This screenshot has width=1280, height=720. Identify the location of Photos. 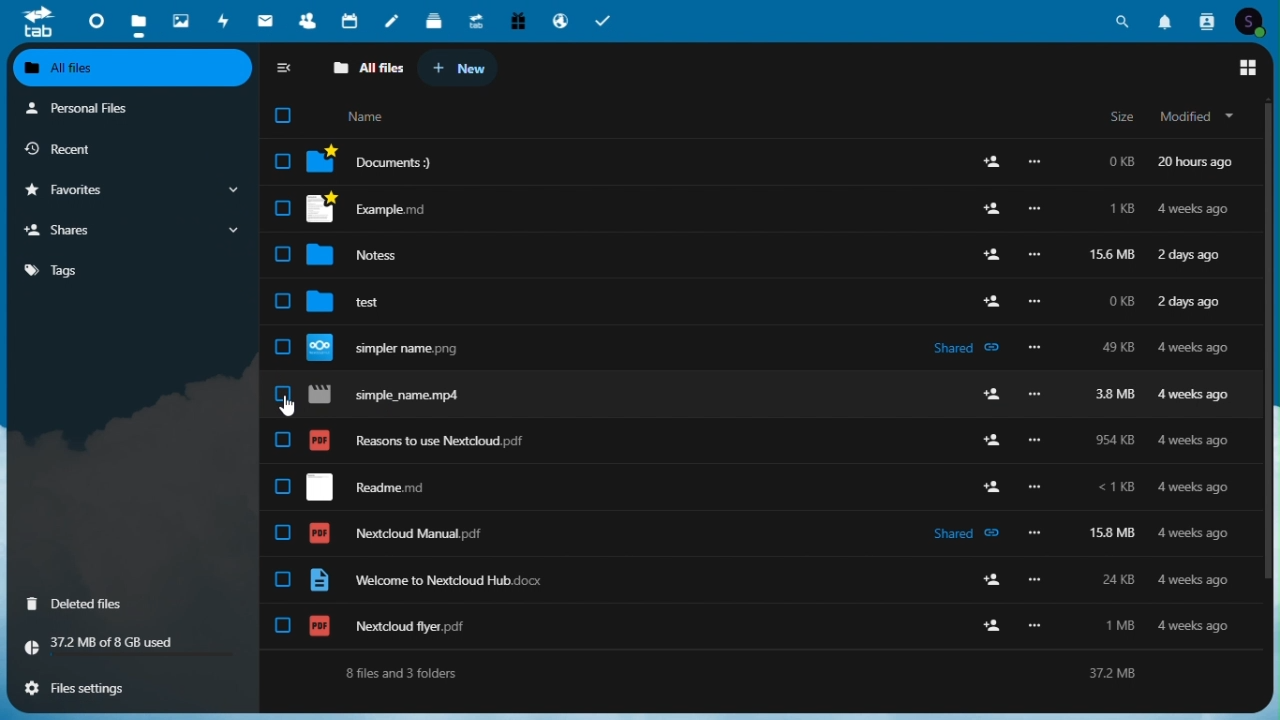
(182, 17).